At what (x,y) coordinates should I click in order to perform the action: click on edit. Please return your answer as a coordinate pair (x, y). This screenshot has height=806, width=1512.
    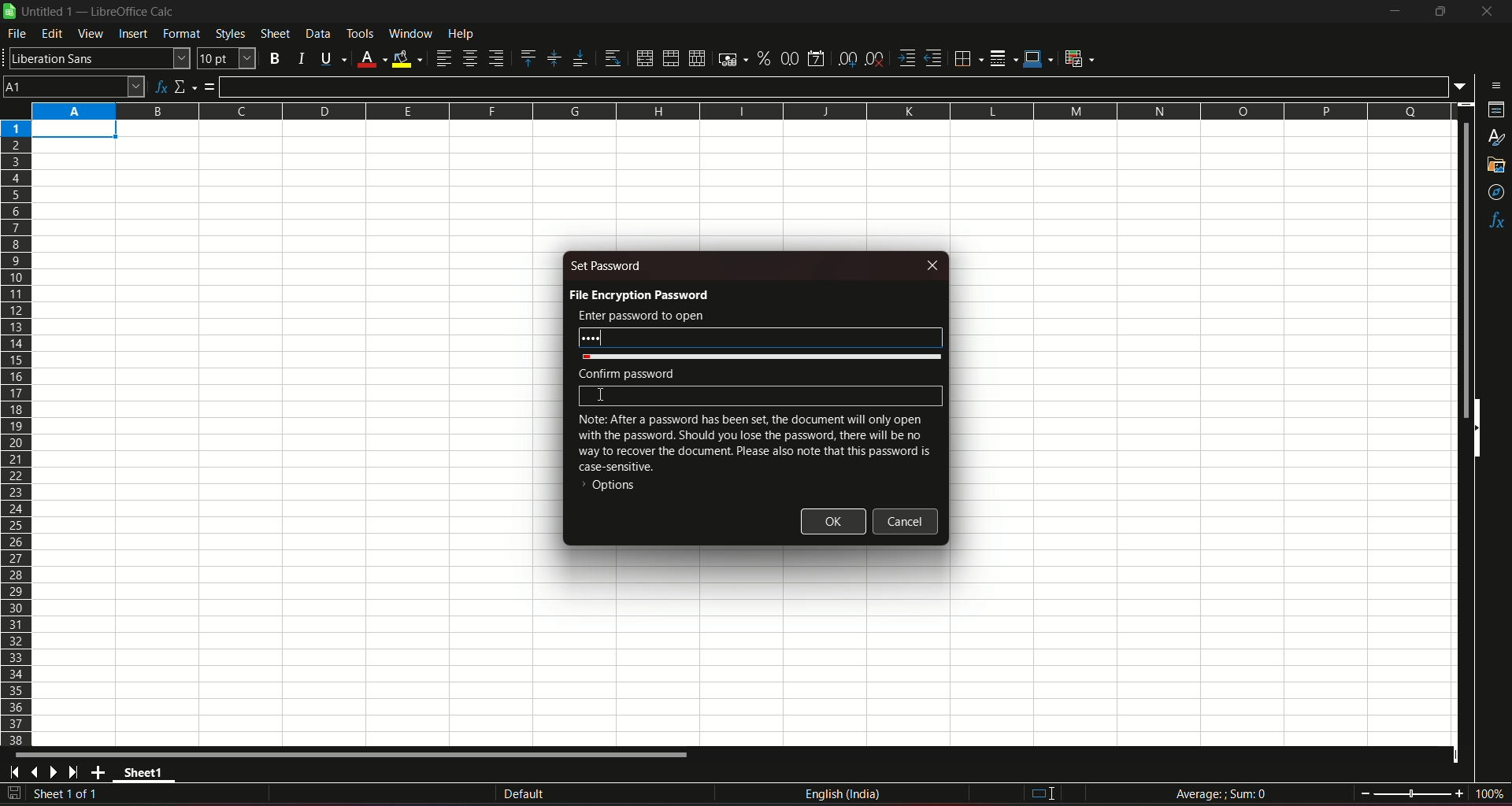
    Looking at the image, I should click on (52, 35).